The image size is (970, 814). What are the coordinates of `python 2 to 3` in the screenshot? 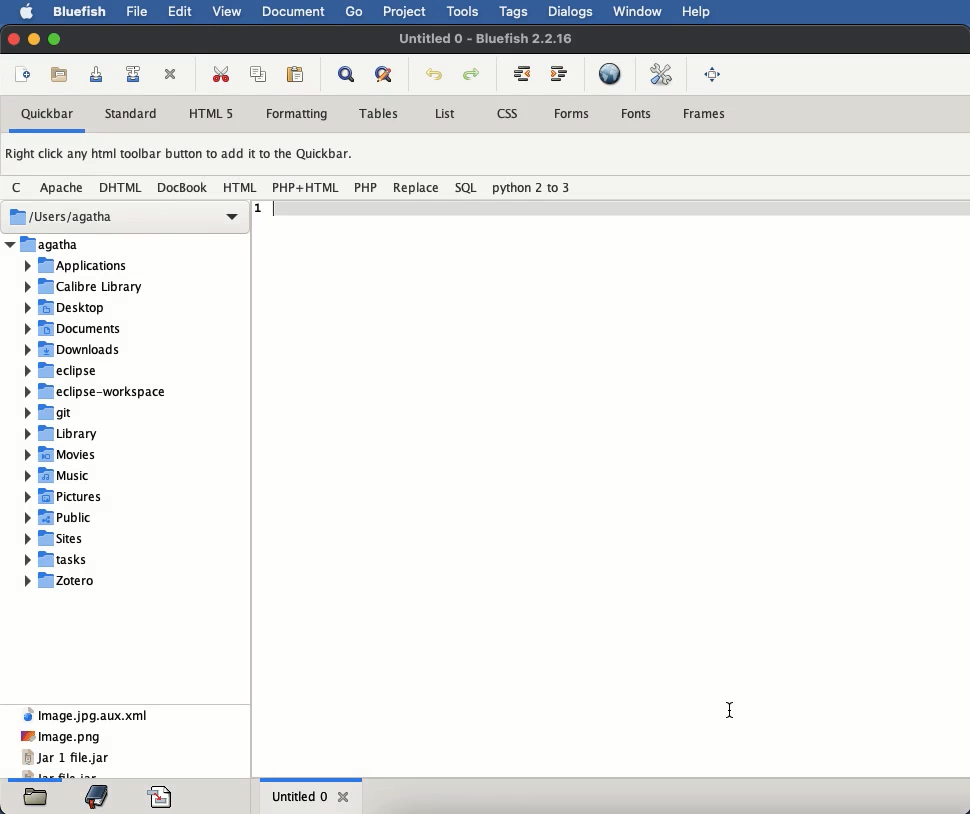 It's located at (532, 187).